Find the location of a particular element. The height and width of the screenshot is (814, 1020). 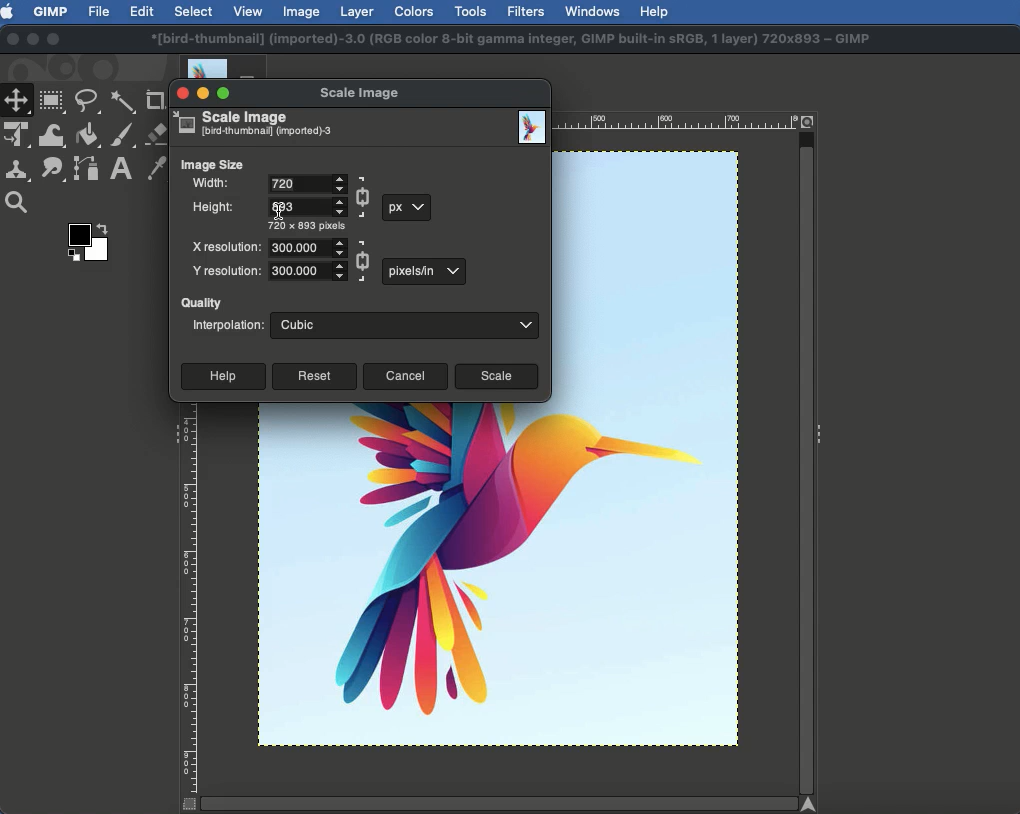

Collapse is located at coordinates (174, 433).